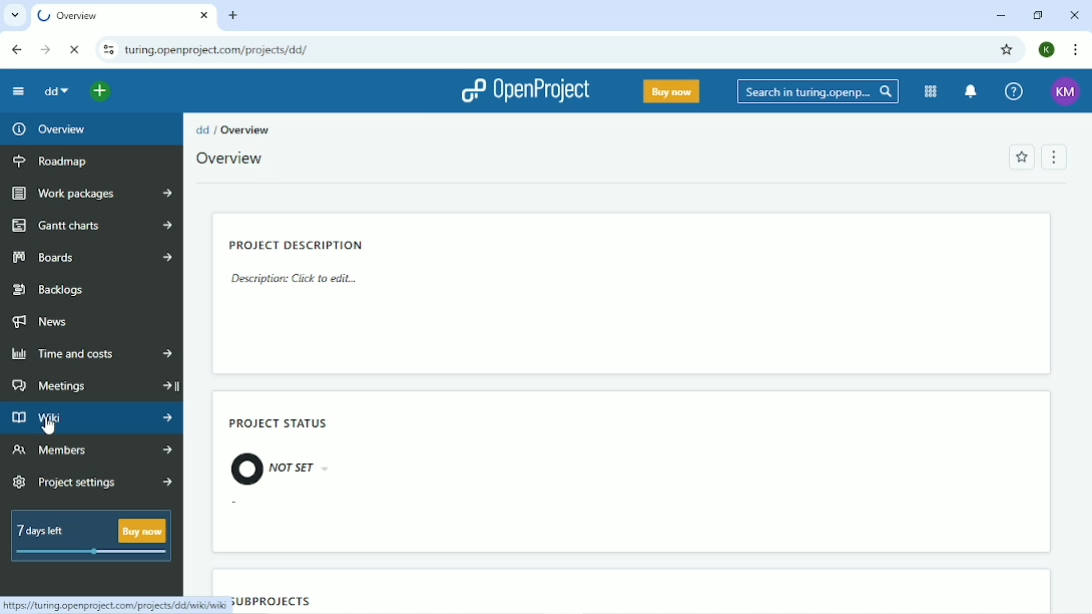  I want to click on More, so click(170, 352).